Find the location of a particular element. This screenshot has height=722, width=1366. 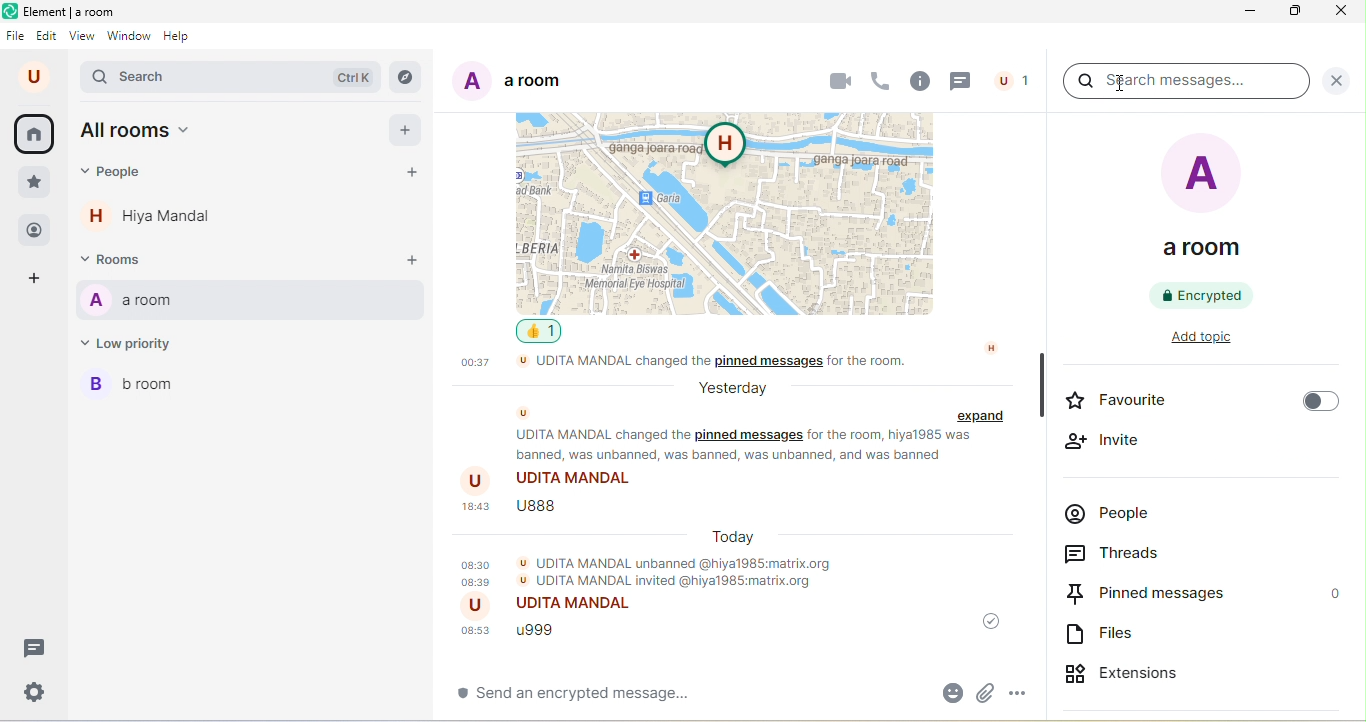

explore room is located at coordinates (407, 77).